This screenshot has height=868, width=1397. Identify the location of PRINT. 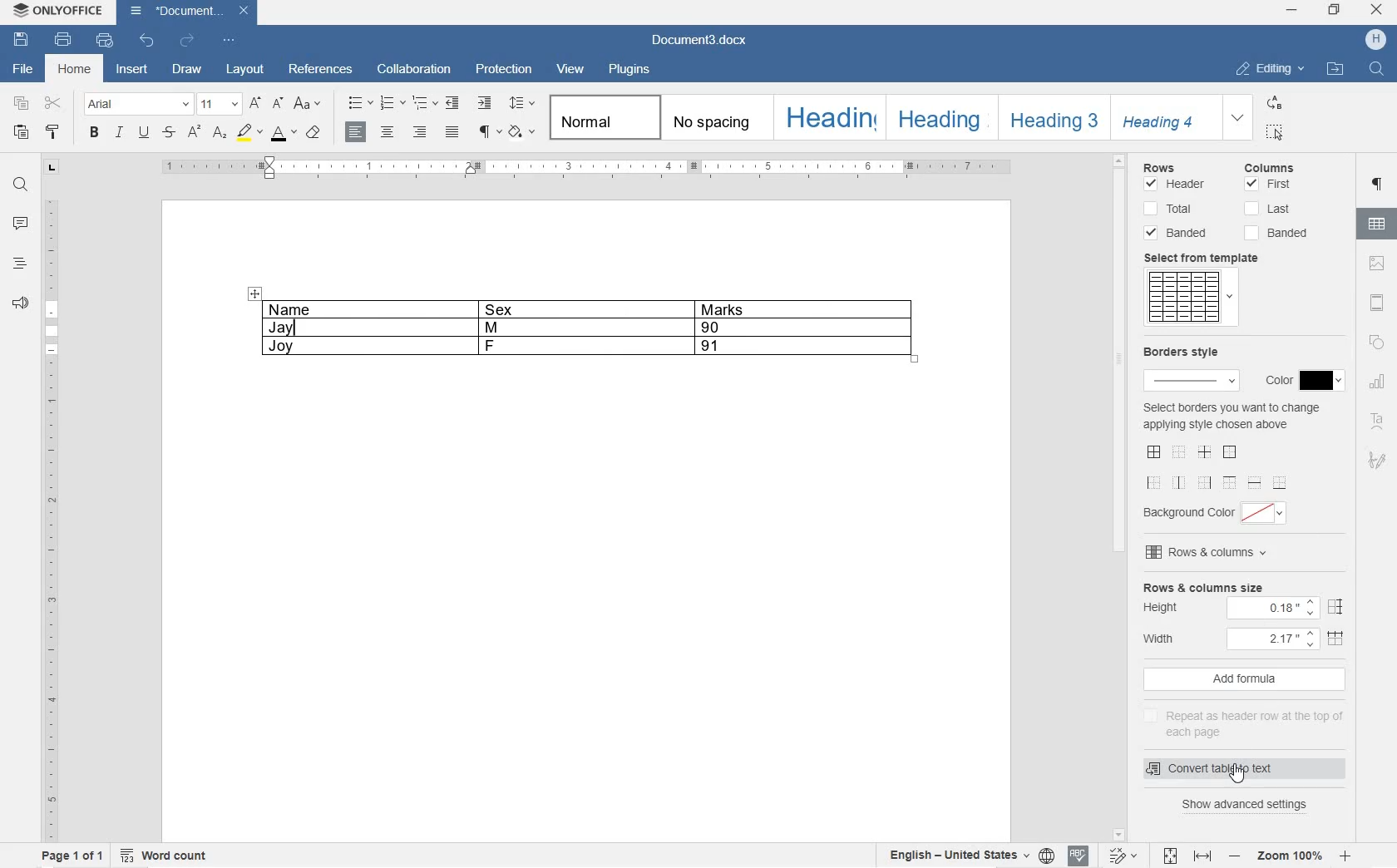
(62, 39).